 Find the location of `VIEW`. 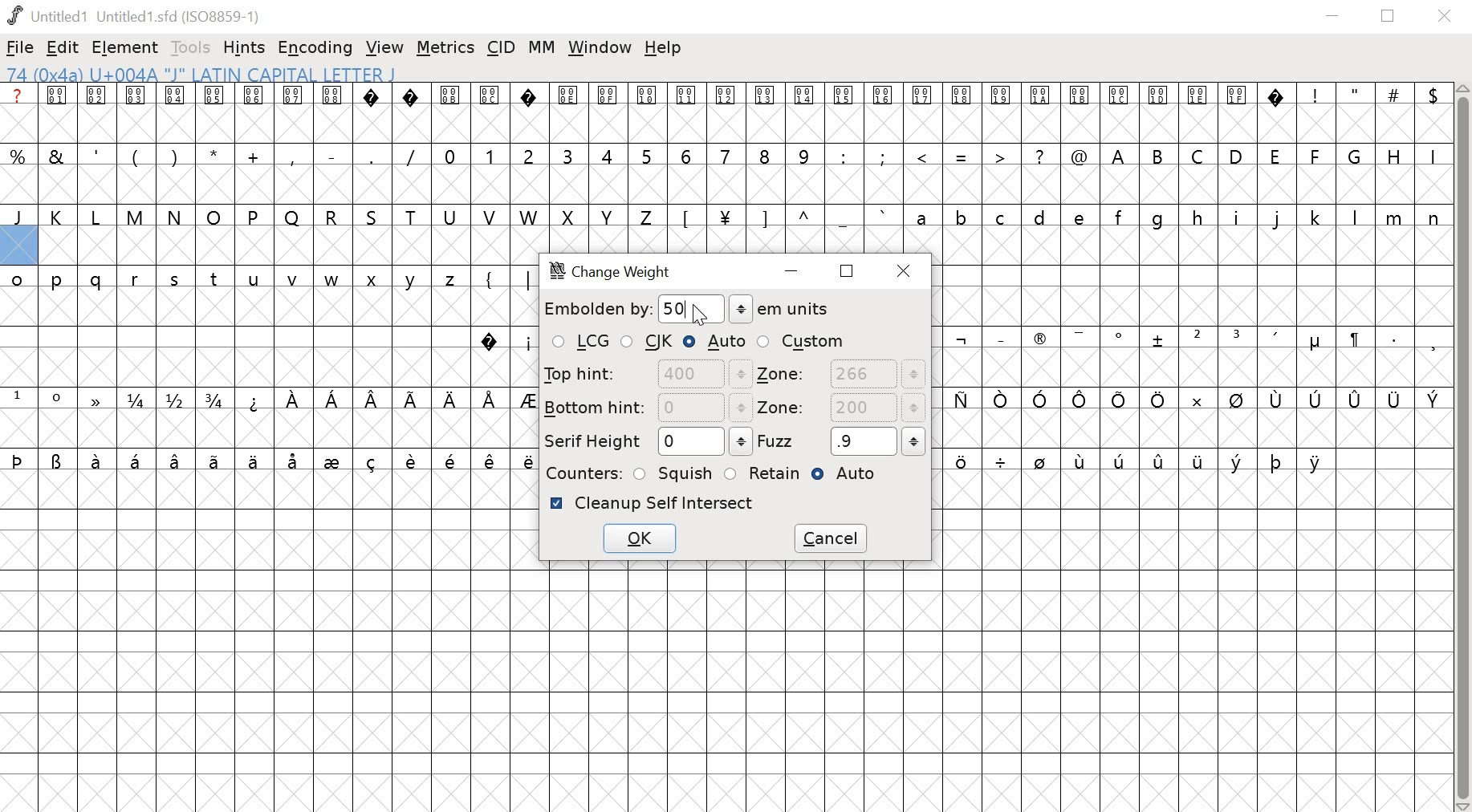

VIEW is located at coordinates (384, 49).